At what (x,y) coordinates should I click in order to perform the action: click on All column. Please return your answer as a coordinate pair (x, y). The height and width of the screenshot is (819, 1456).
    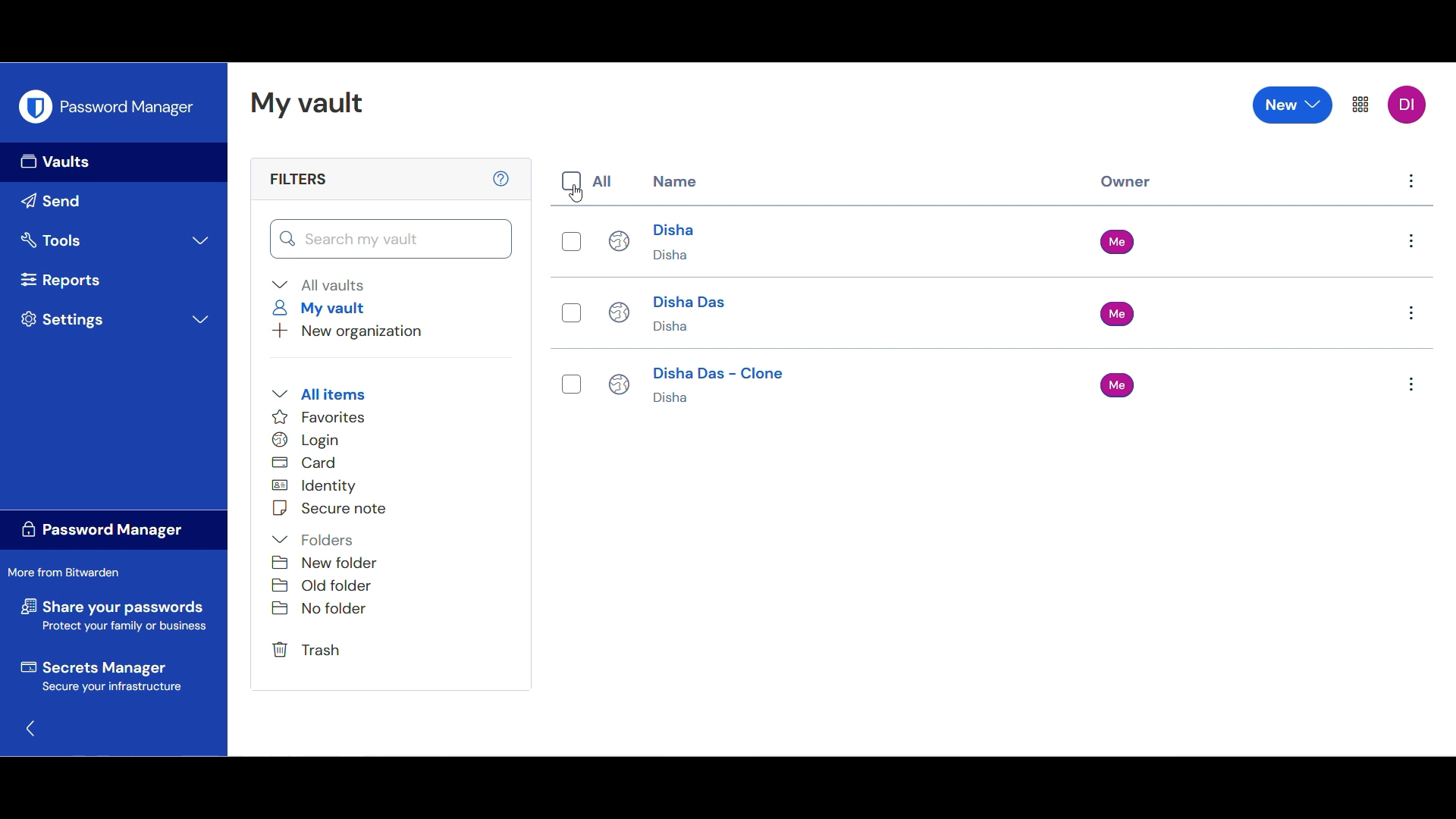
    Looking at the image, I should click on (603, 181).